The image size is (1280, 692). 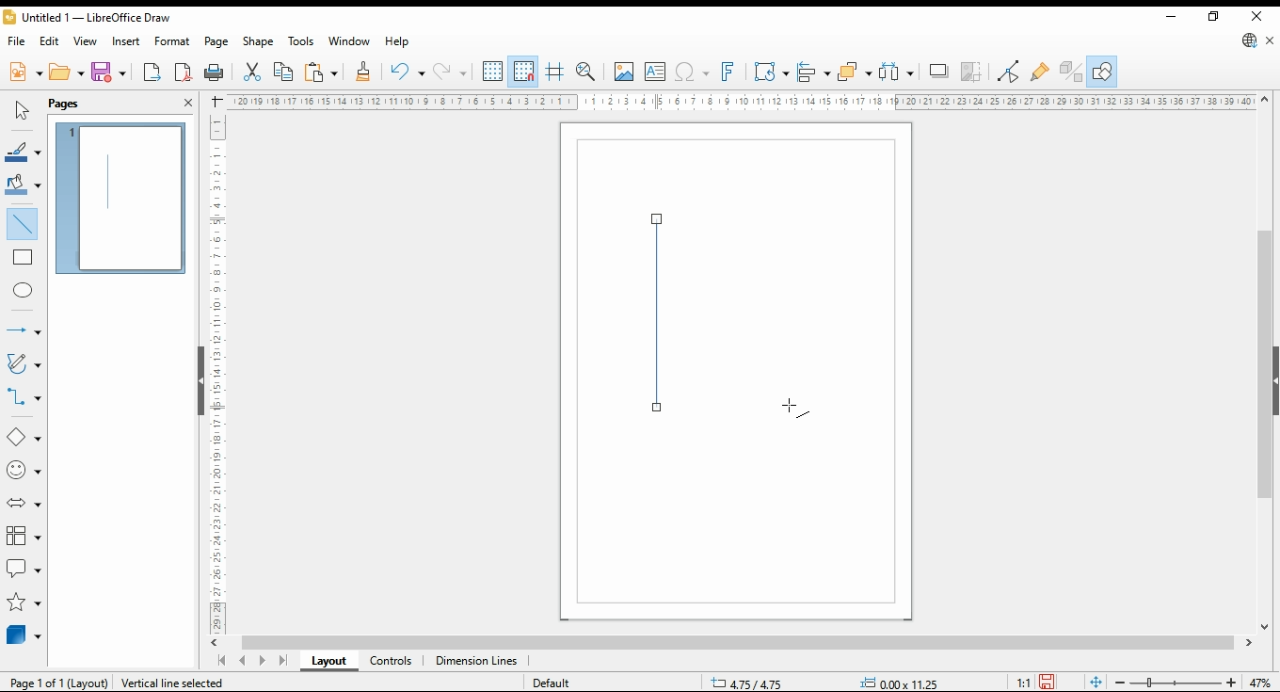 What do you see at coordinates (1071, 72) in the screenshot?
I see `toggle extrusions` at bounding box center [1071, 72].